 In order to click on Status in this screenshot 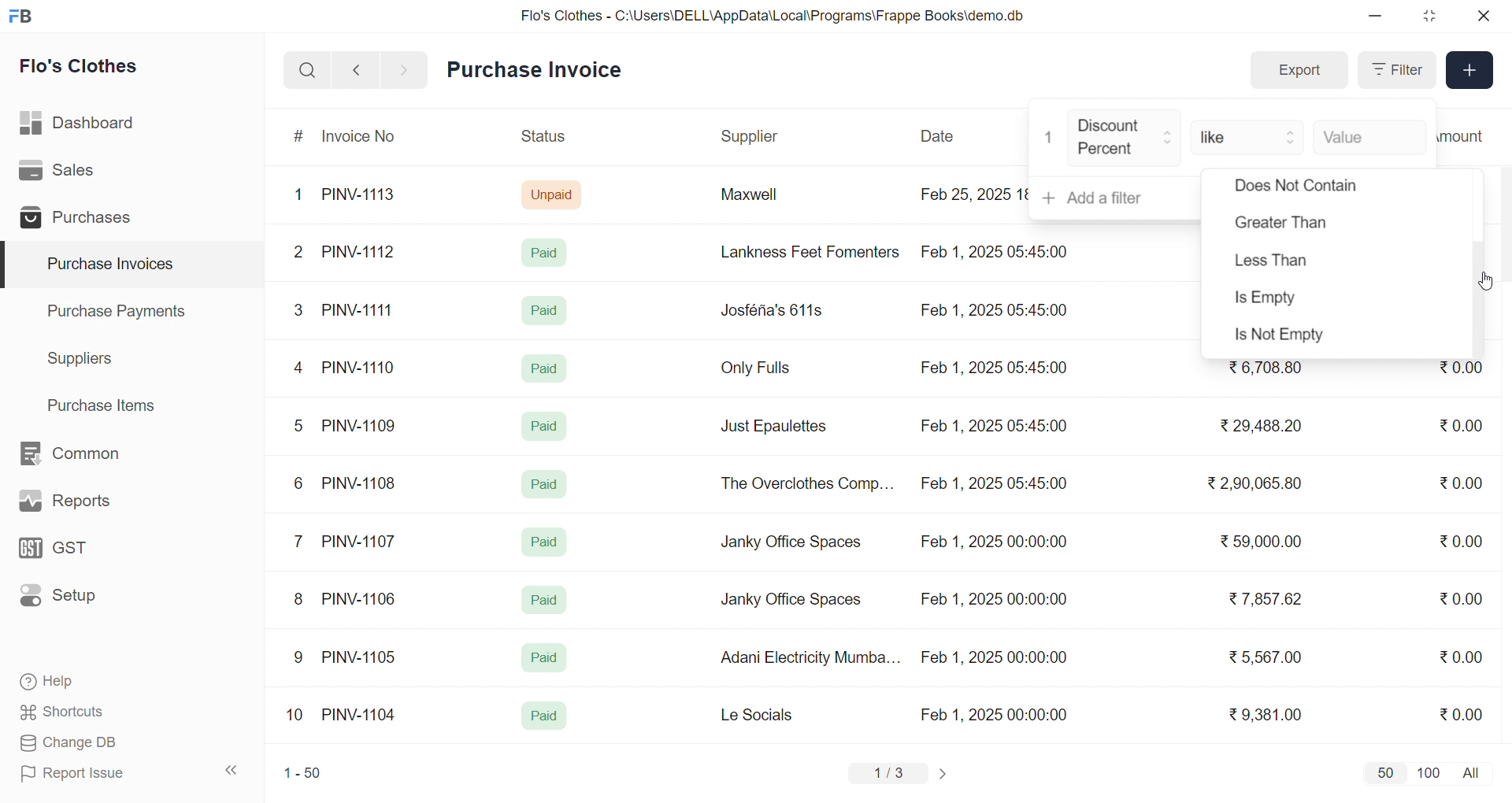, I will do `click(542, 139)`.